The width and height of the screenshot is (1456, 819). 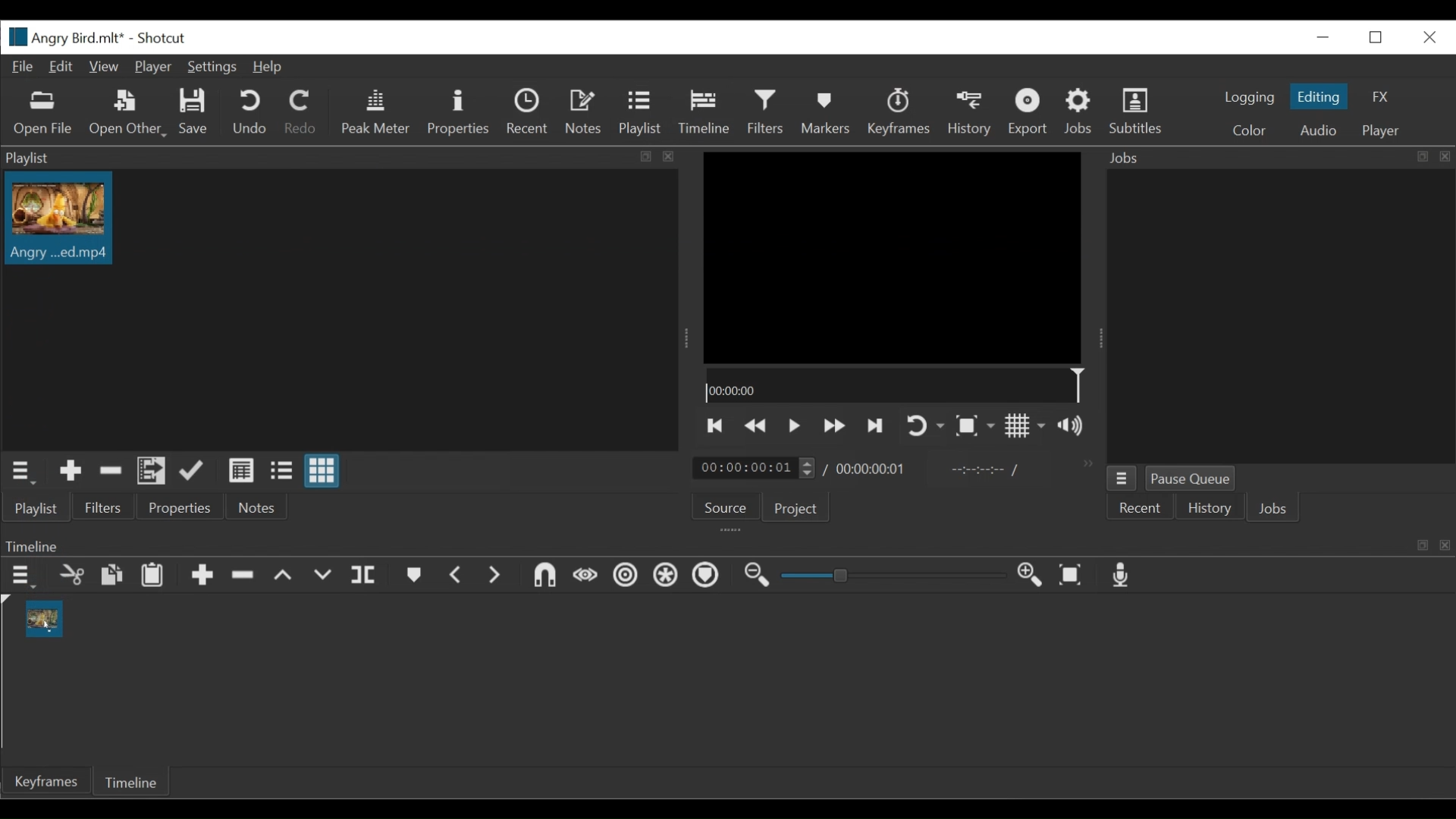 What do you see at coordinates (795, 428) in the screenshot?
I see `Toggle play or pause` at bounding box center [795, 428].